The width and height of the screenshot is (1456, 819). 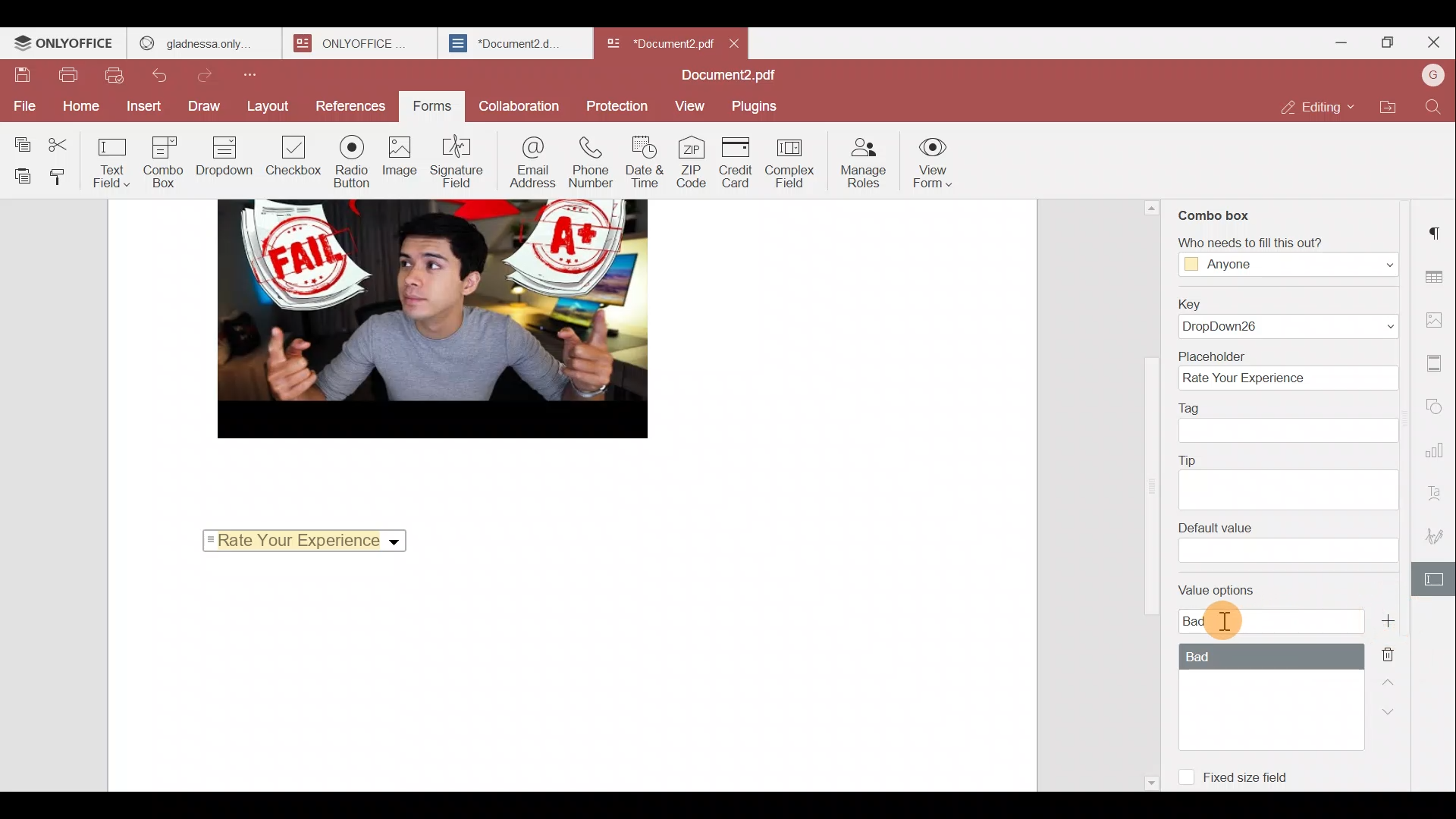 I want to click on Email address, so click(x=531, y=162).